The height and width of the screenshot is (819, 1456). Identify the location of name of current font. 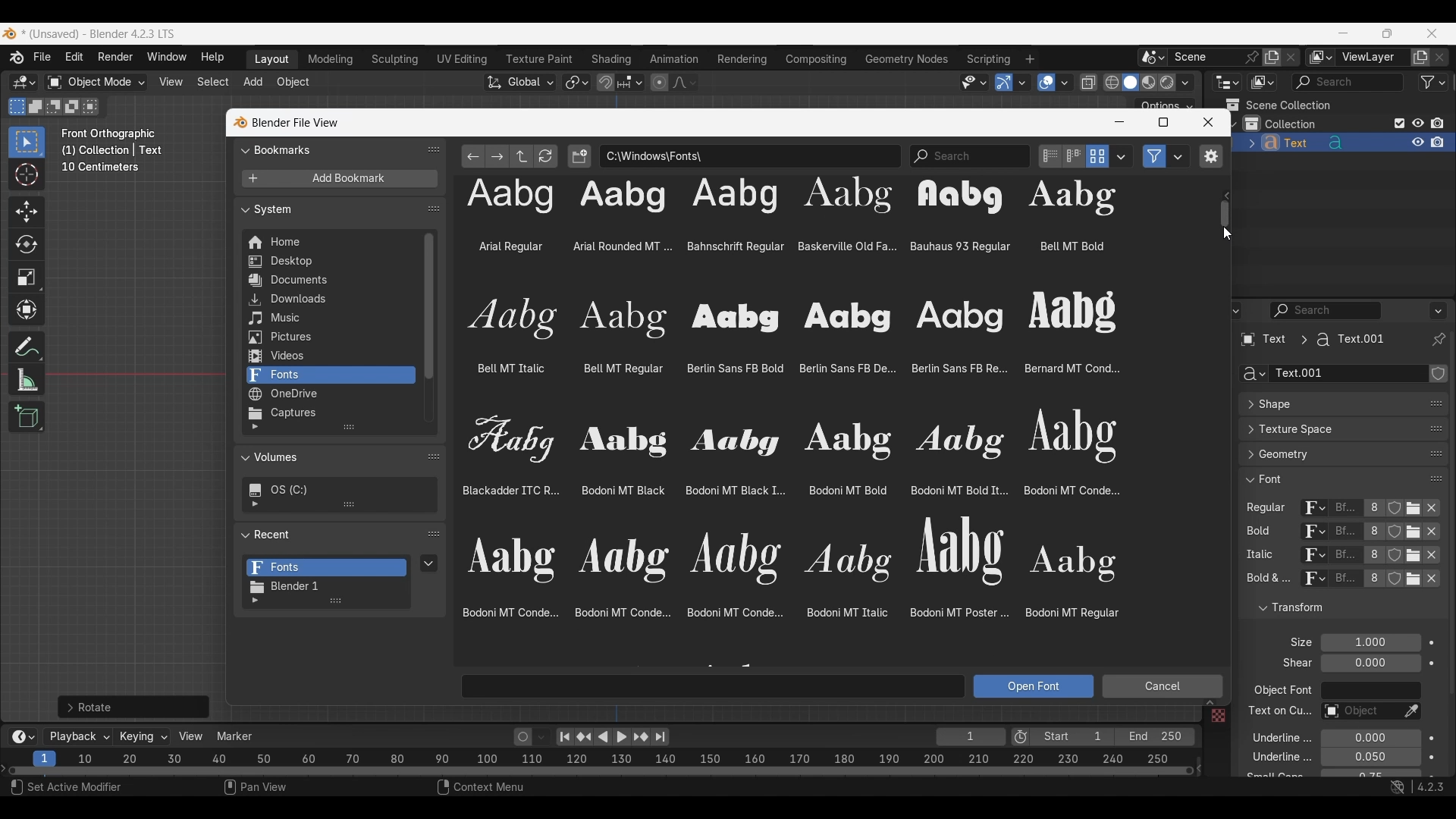
(1345, 532).